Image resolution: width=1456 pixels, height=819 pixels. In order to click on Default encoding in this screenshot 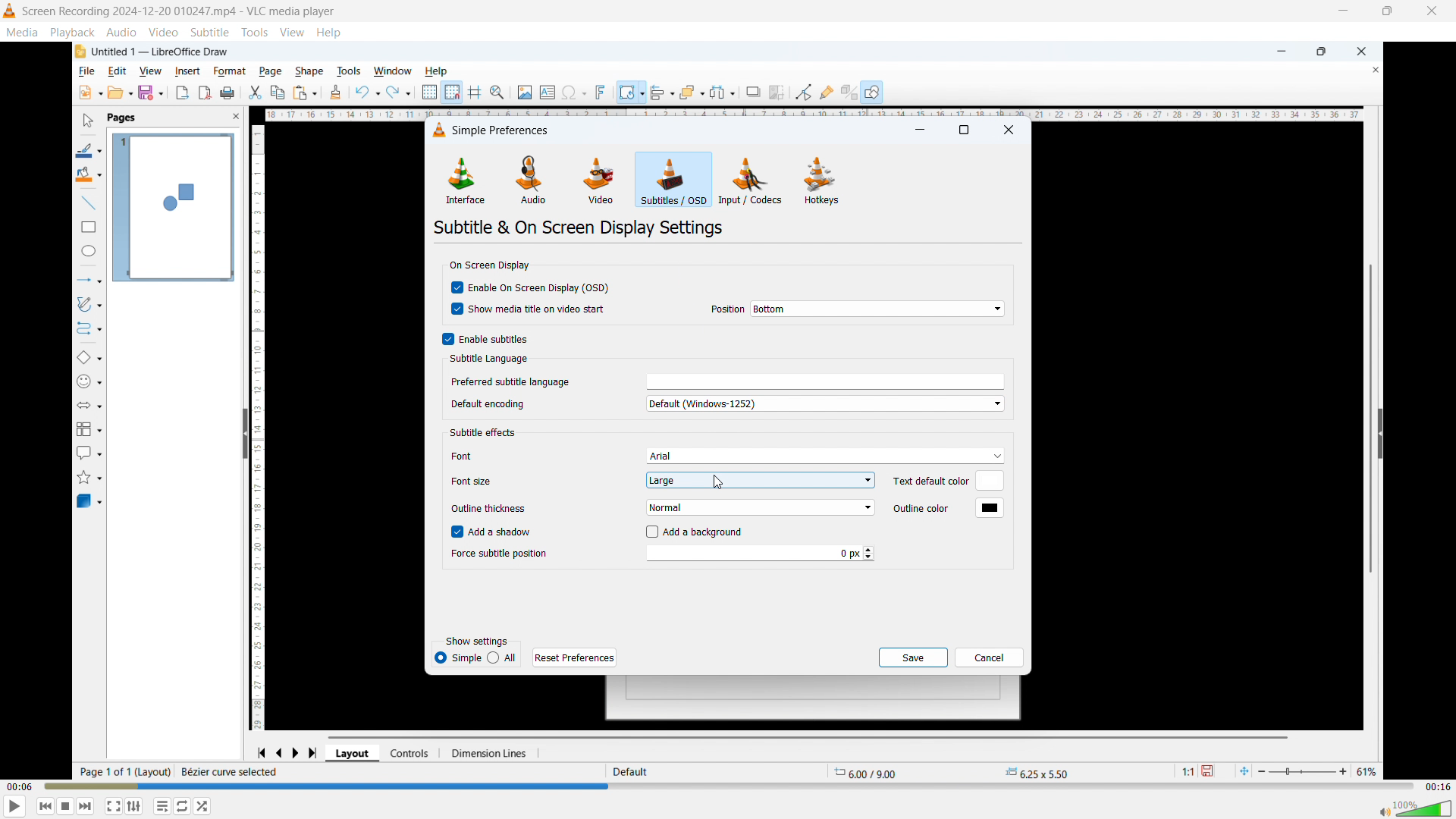, I will do `click(489, 405)`.